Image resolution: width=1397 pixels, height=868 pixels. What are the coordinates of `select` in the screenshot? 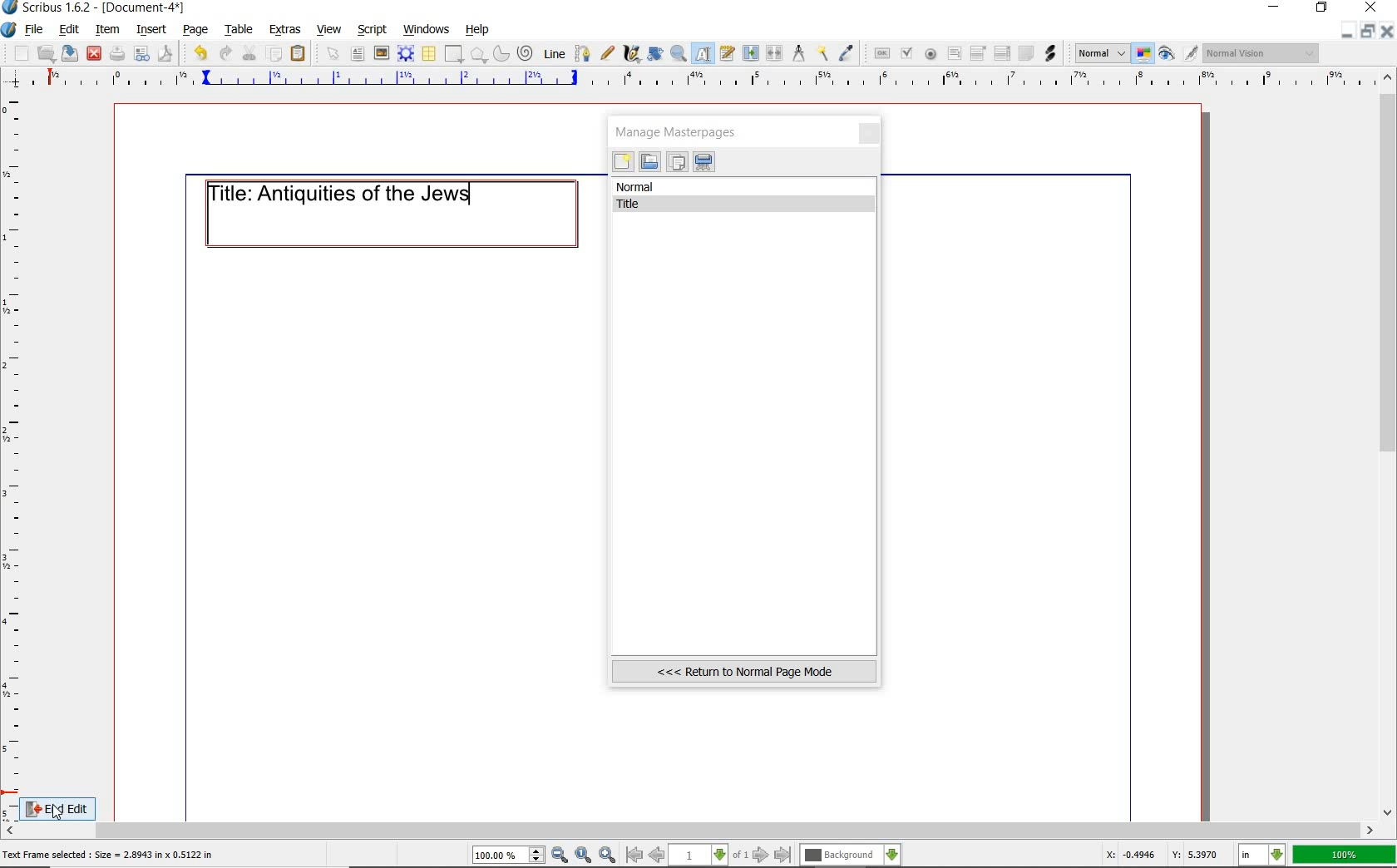 It's located at (330, 53).